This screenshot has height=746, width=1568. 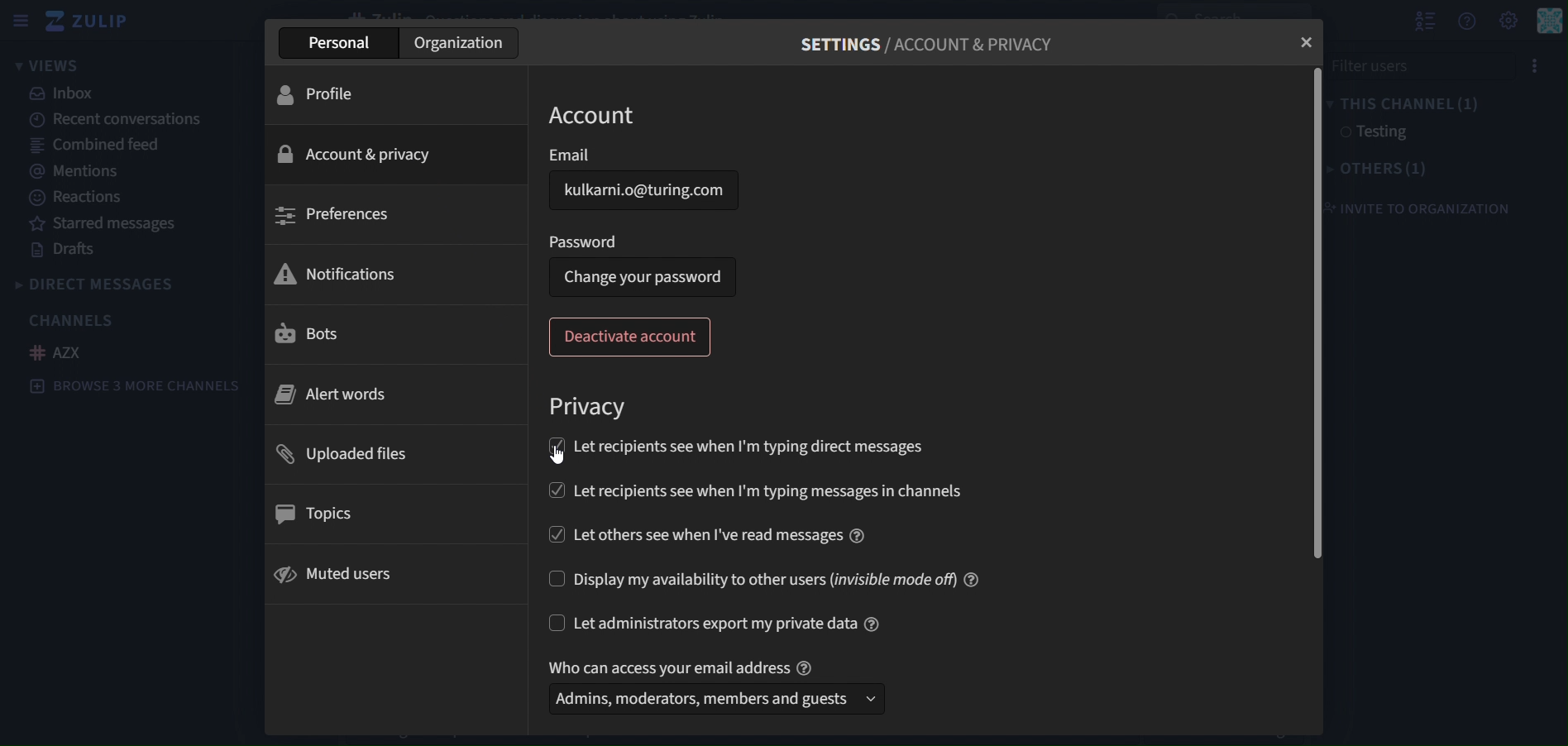 What do you see at coordinates (629, 337) in the screenshot?
I see `deactivate account` at bounding box center [629, 337].